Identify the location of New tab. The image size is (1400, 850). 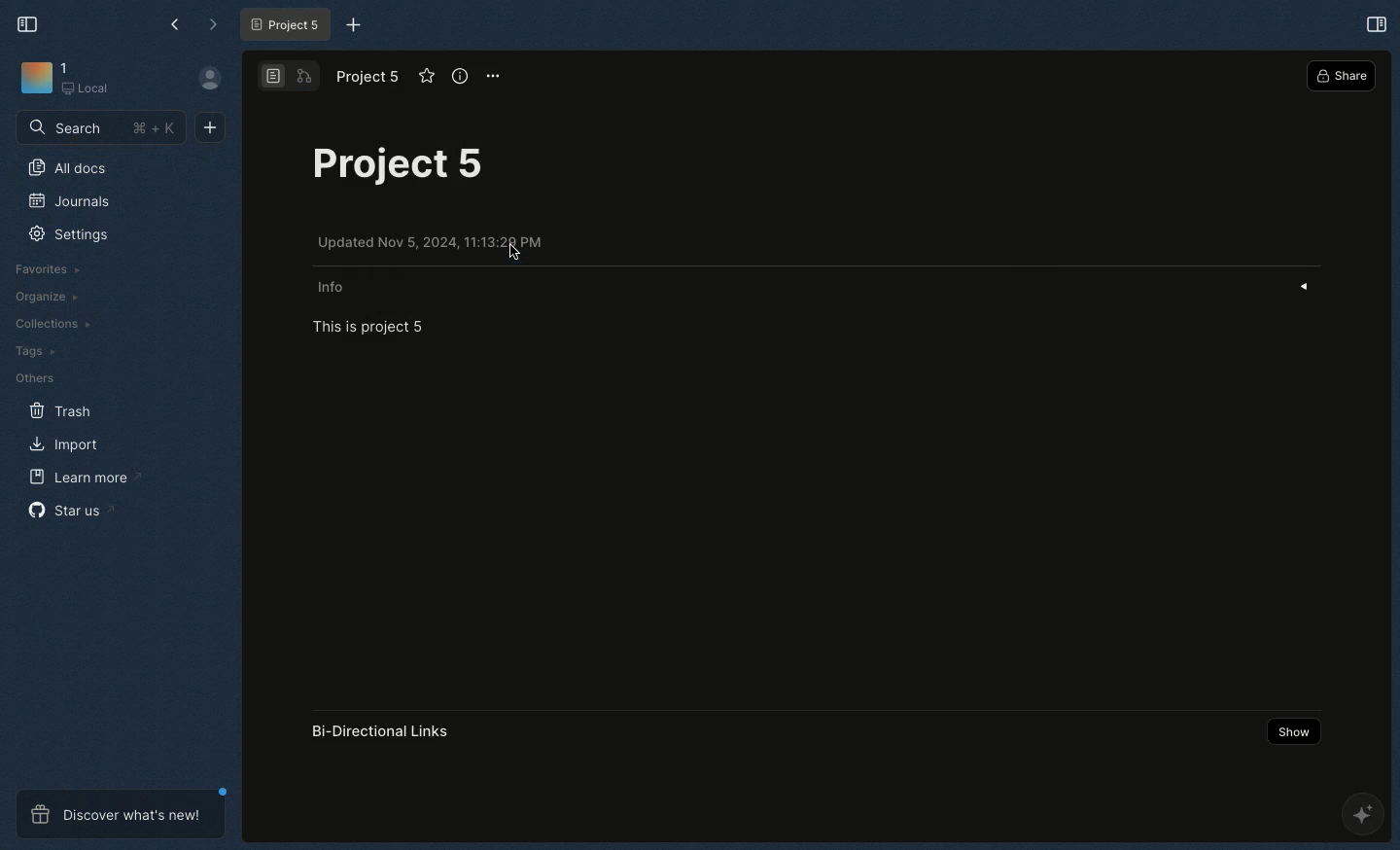
(352, 25).